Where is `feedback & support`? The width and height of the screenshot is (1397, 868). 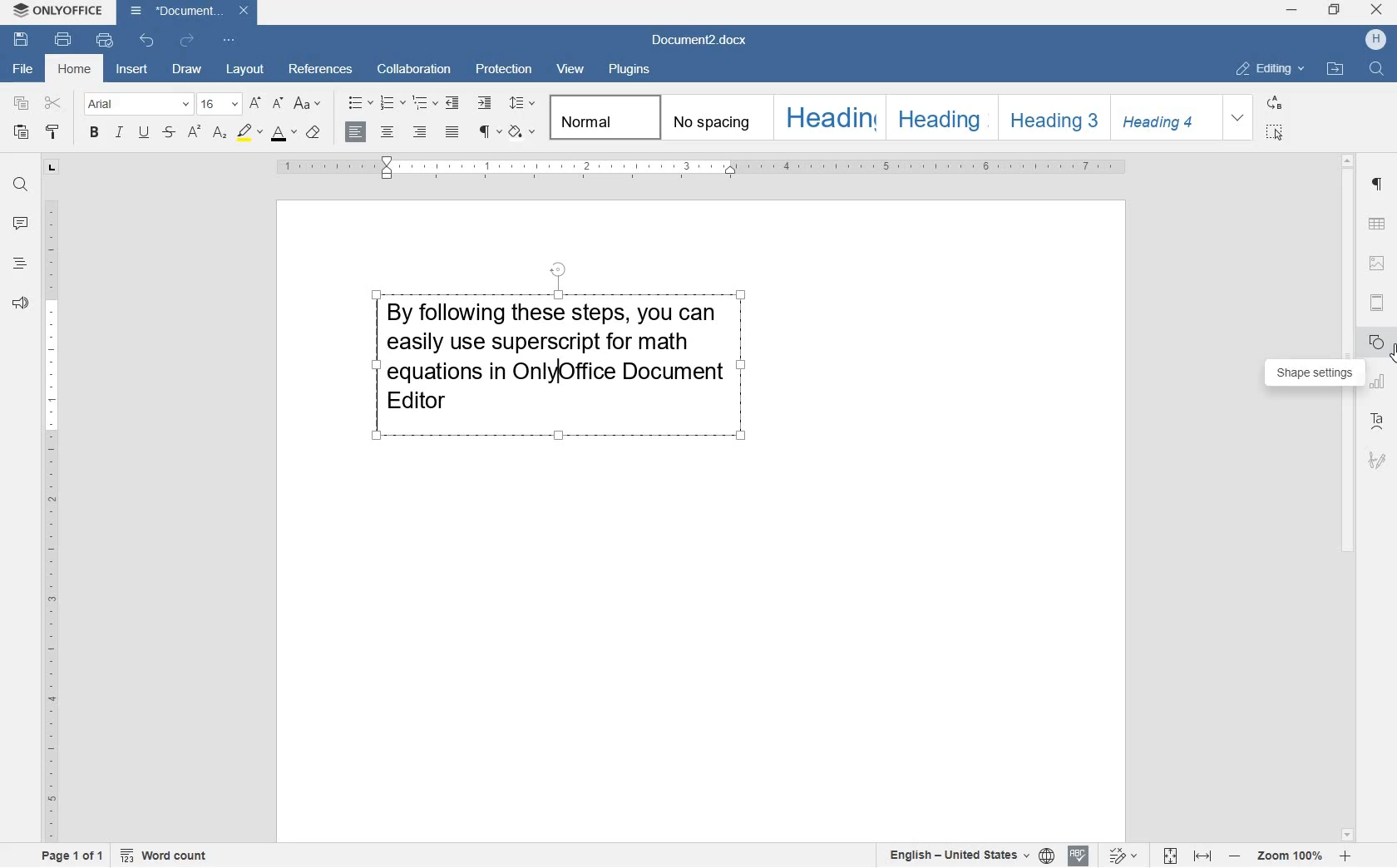 feedback & support is located at coordinates (18, 303).